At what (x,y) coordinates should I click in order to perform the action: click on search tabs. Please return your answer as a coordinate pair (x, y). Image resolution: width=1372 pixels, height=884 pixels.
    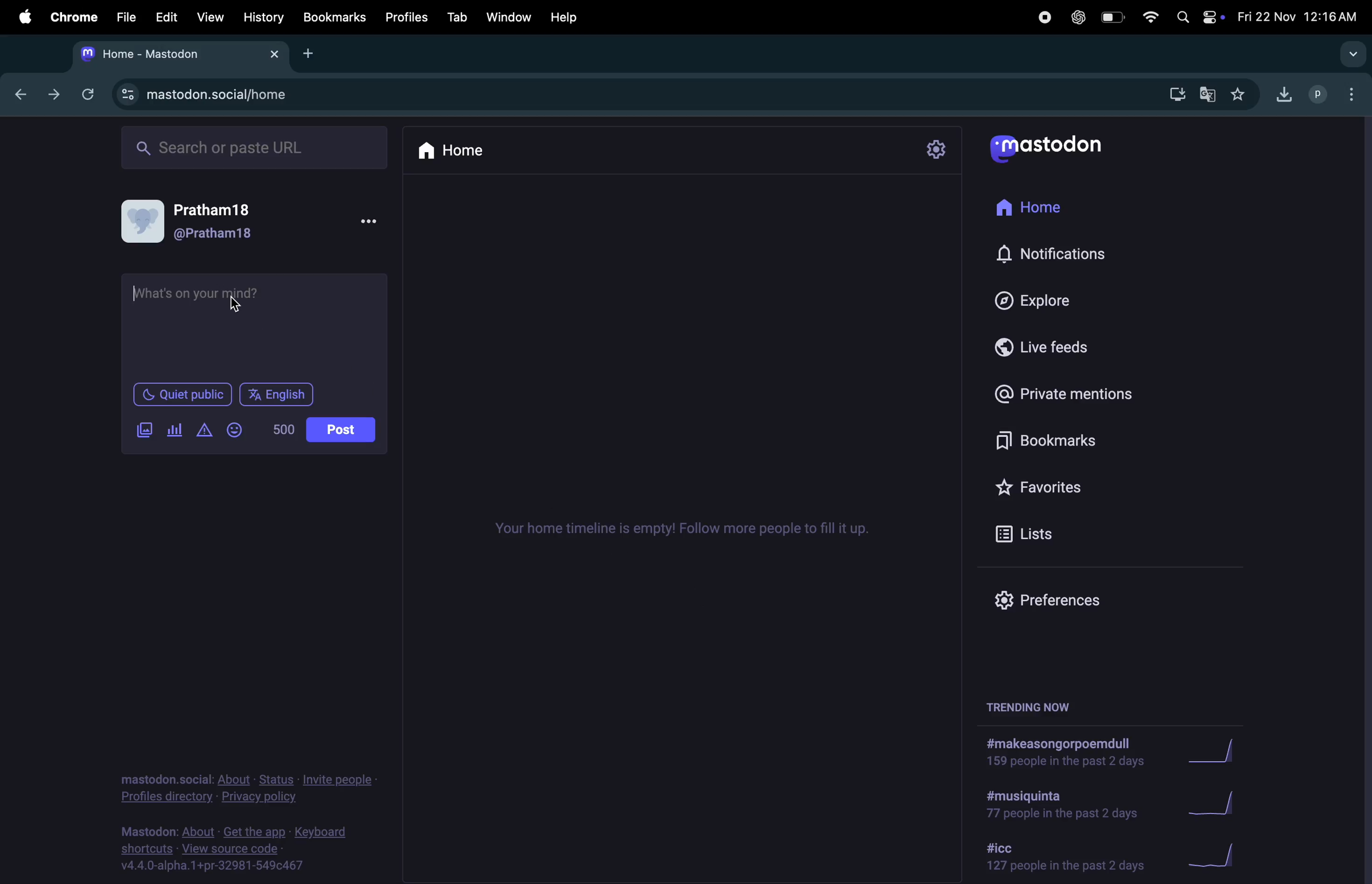
    Looking at the image, I should click on (1348, 55).